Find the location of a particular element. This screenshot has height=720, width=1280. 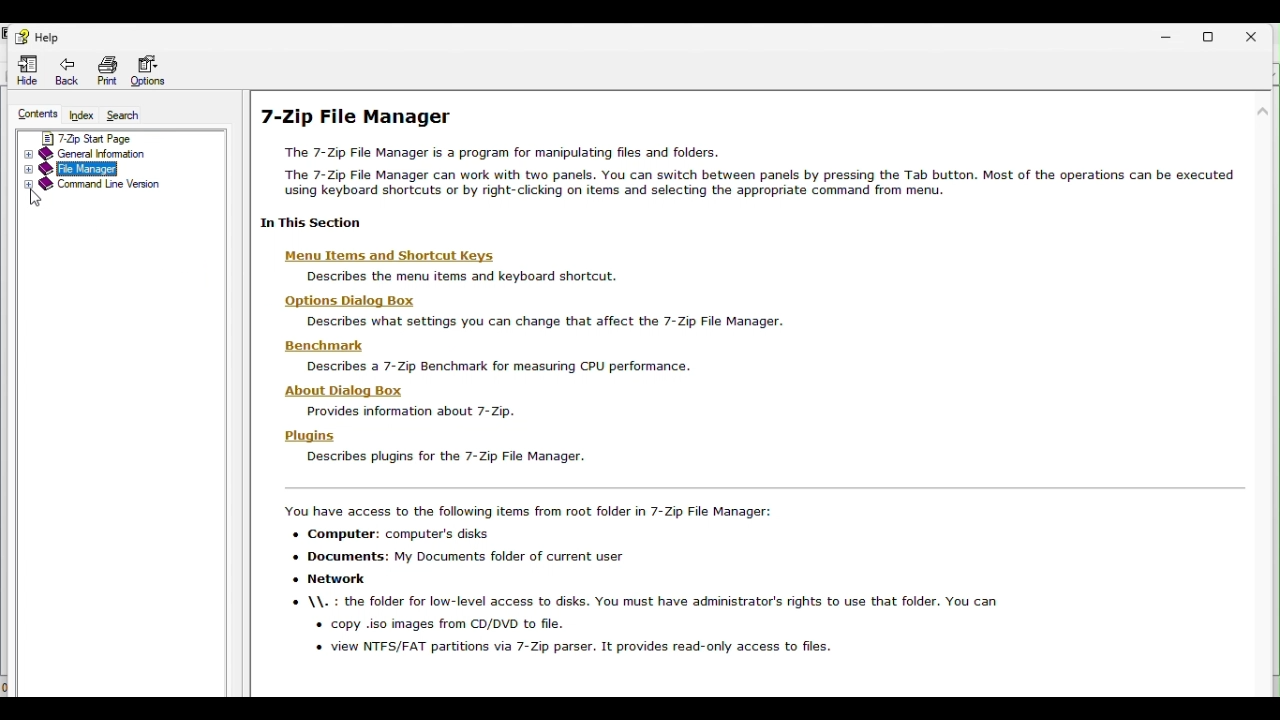

About Dialog Box is located at coordinates (343, 392).